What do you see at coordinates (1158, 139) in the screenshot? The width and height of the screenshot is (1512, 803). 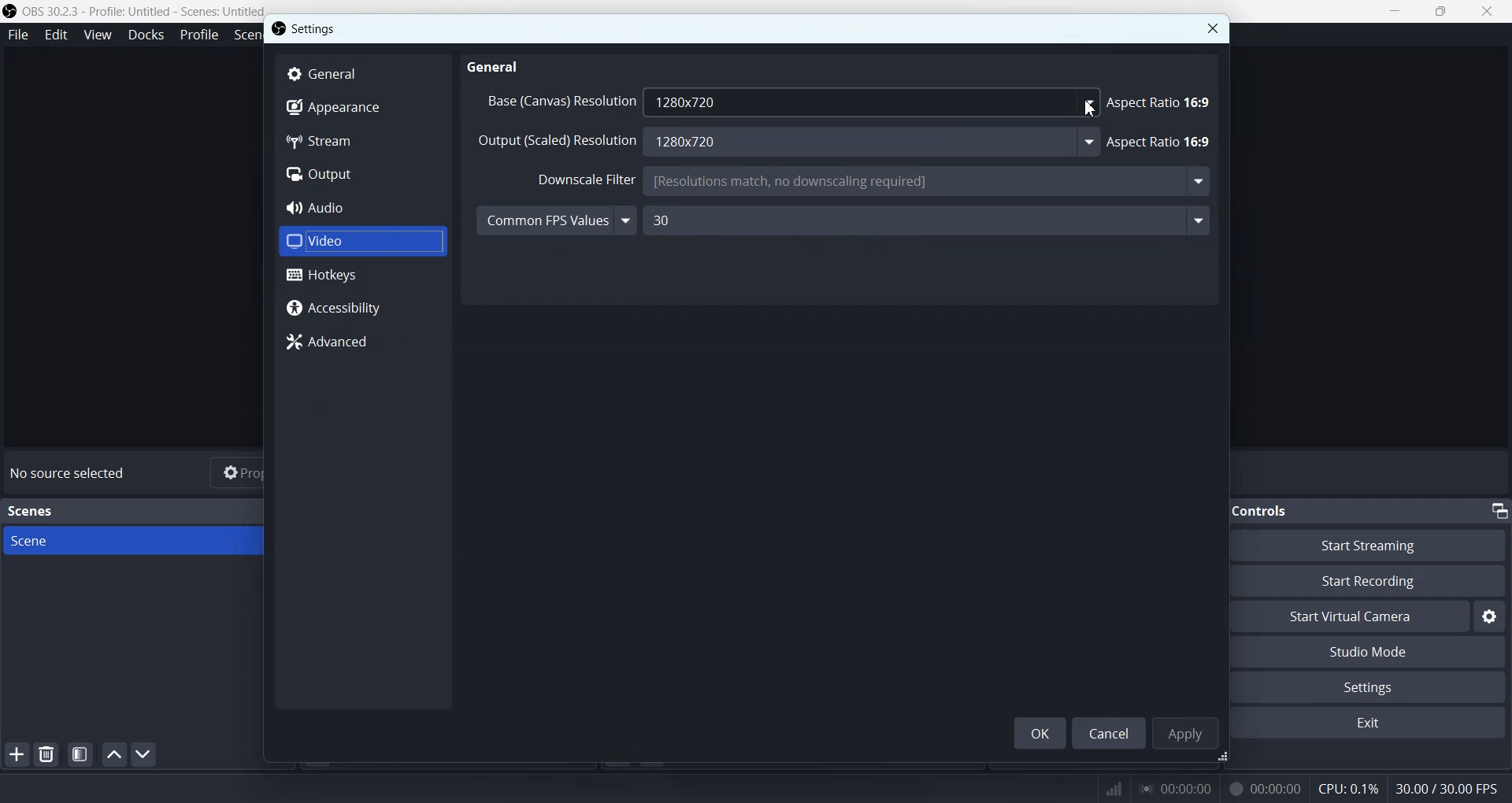 I see `aspect ratio` at bounding box center [1158, 139].